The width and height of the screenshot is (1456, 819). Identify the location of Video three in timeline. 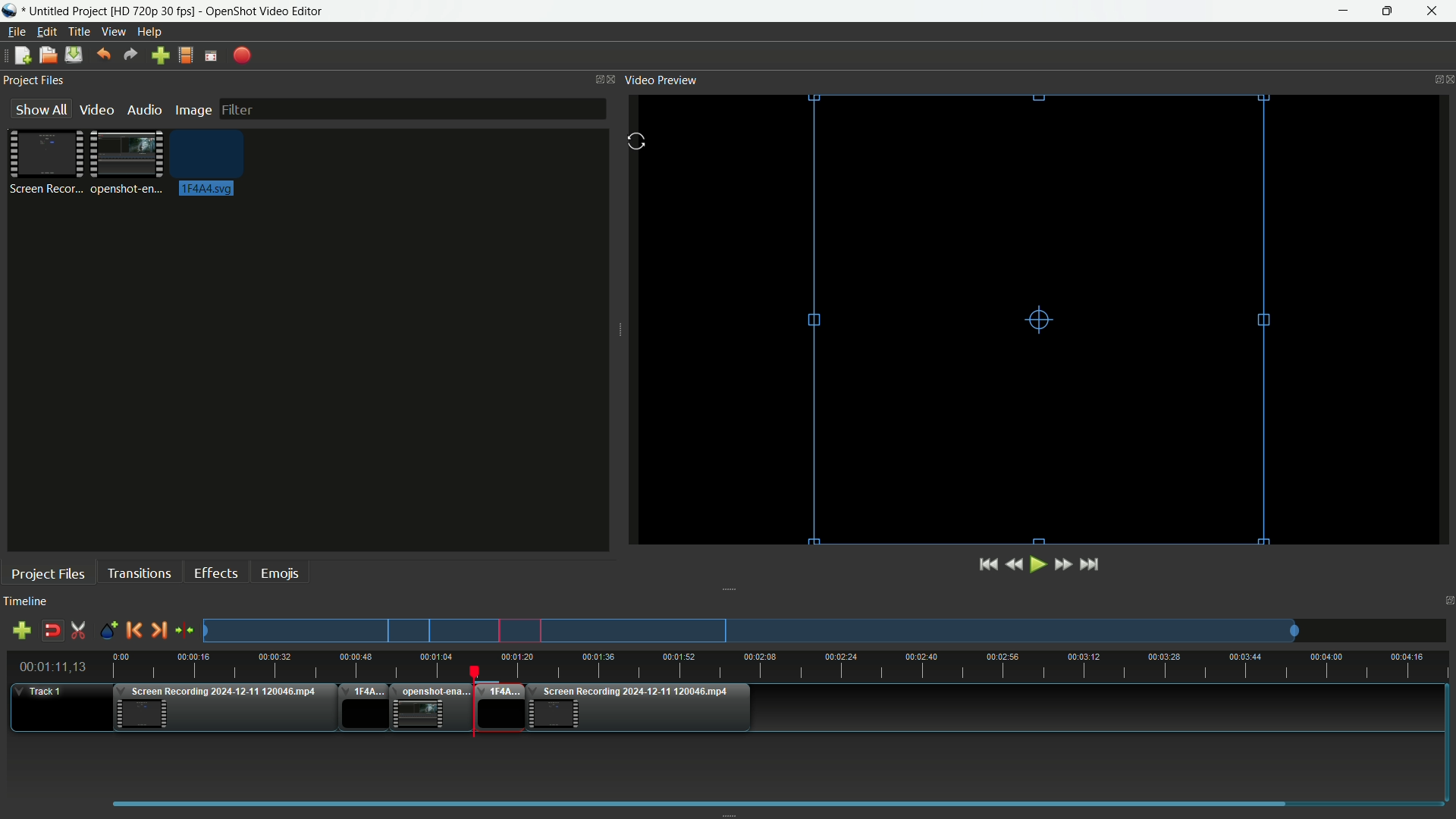
(642, 708).